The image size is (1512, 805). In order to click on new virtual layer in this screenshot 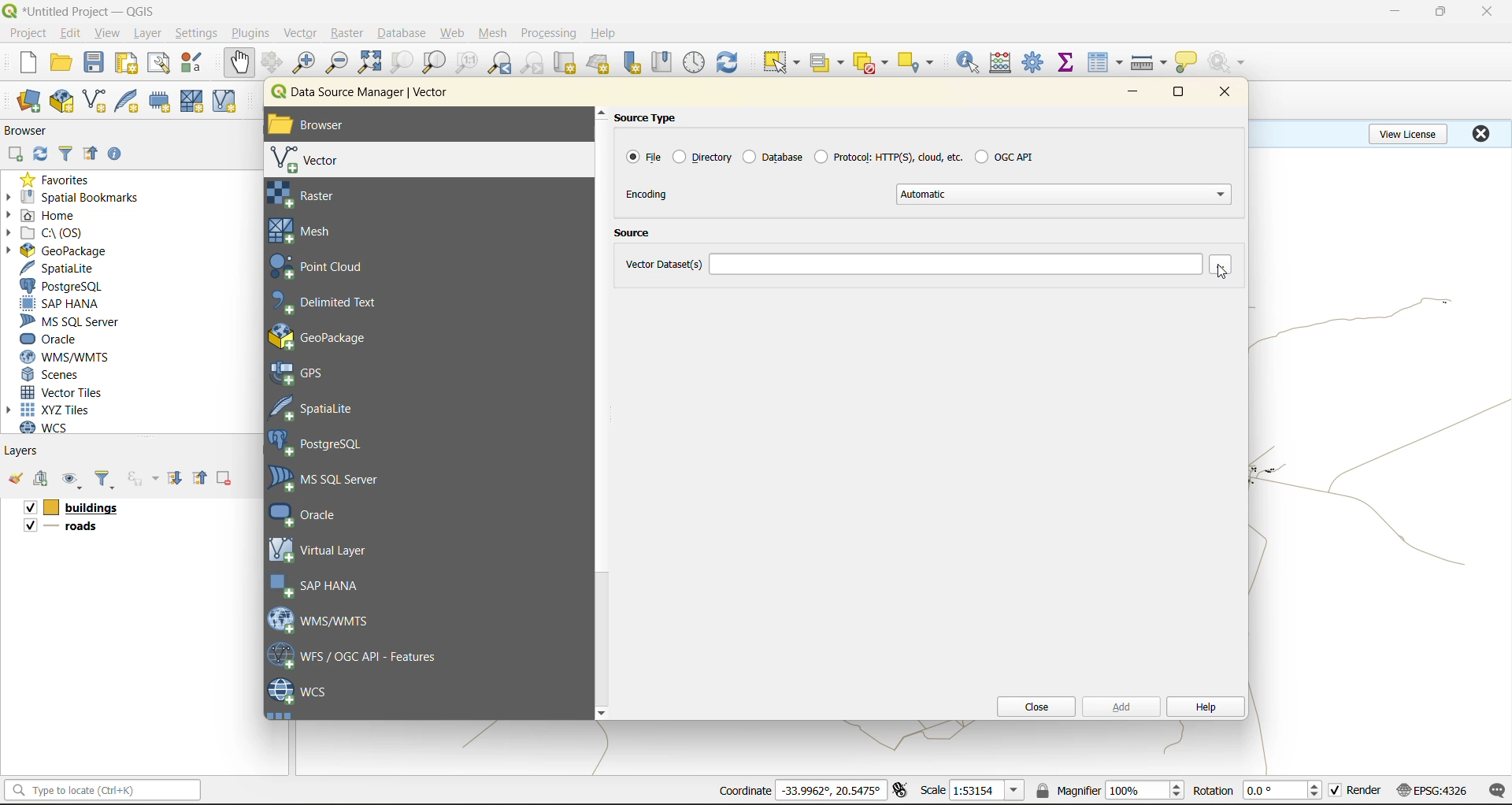, I will do `click(227, 102)`.